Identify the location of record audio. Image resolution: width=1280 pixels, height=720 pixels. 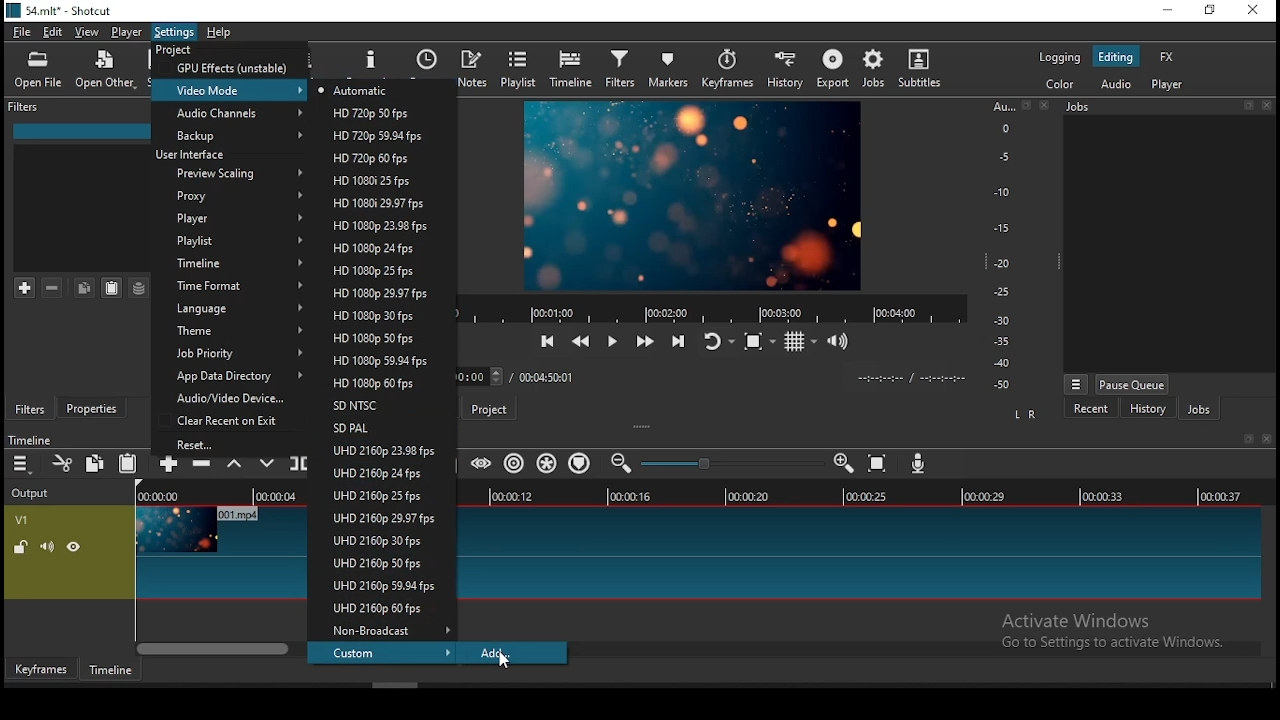
(919, 463).